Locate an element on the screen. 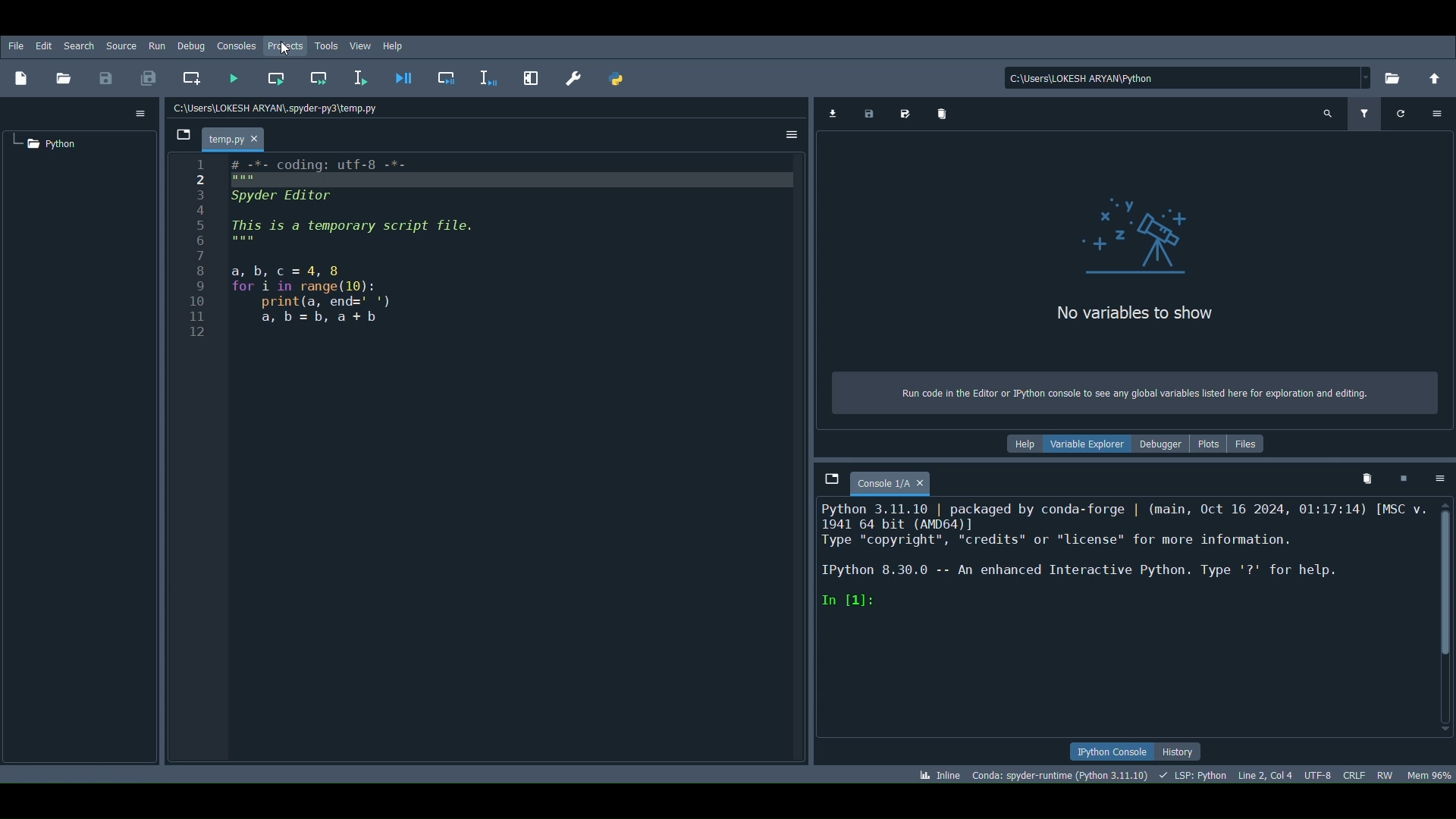  Files is located at coordinates (1247, 444).